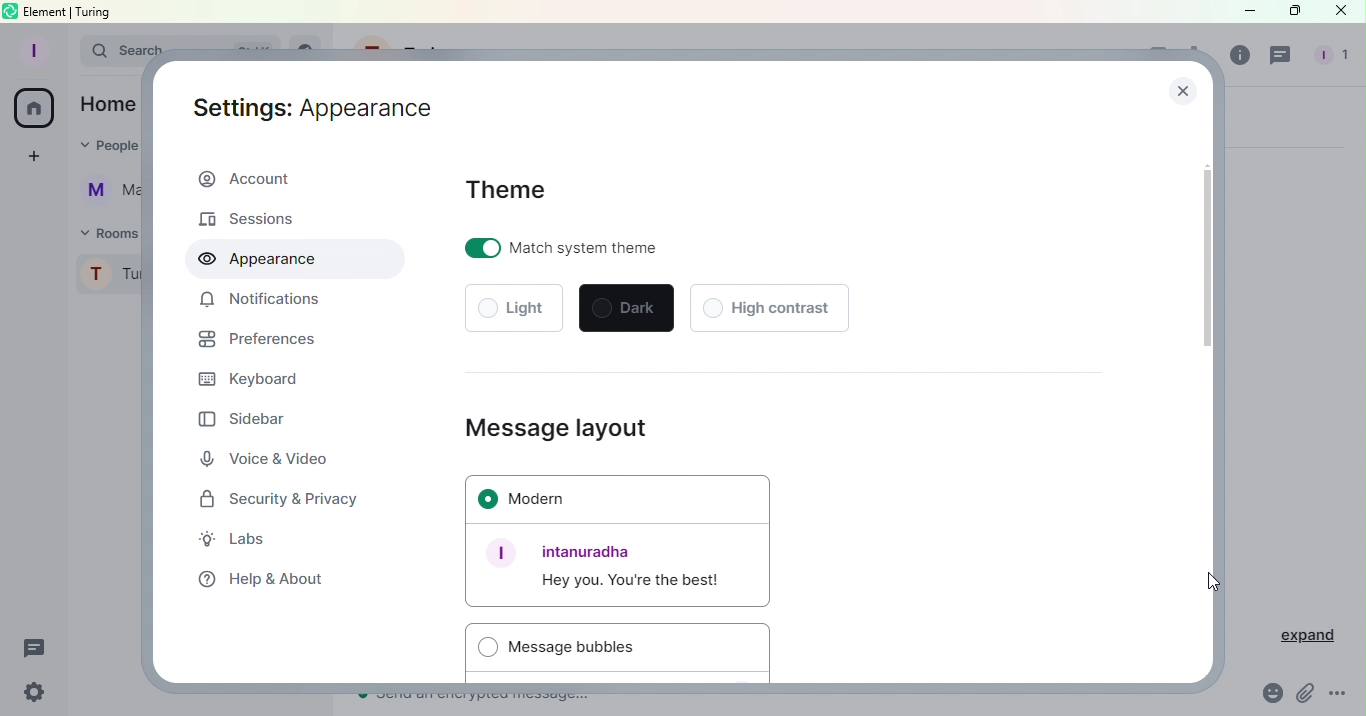 The width and height of the screenshot is (1366, 716). I want to click on element, so click(46, 11).